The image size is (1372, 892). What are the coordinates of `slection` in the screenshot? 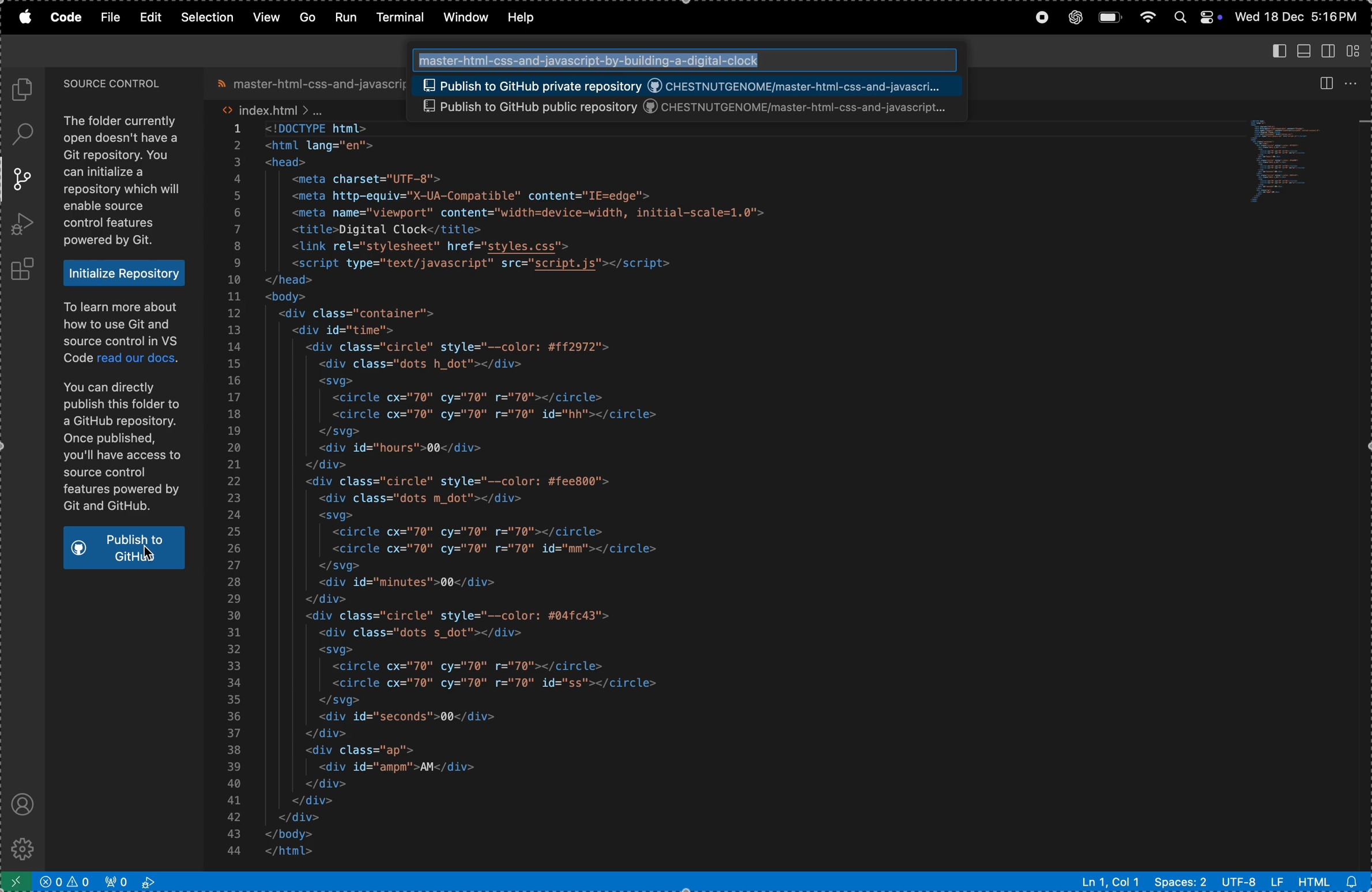 It's located at (209, 16).